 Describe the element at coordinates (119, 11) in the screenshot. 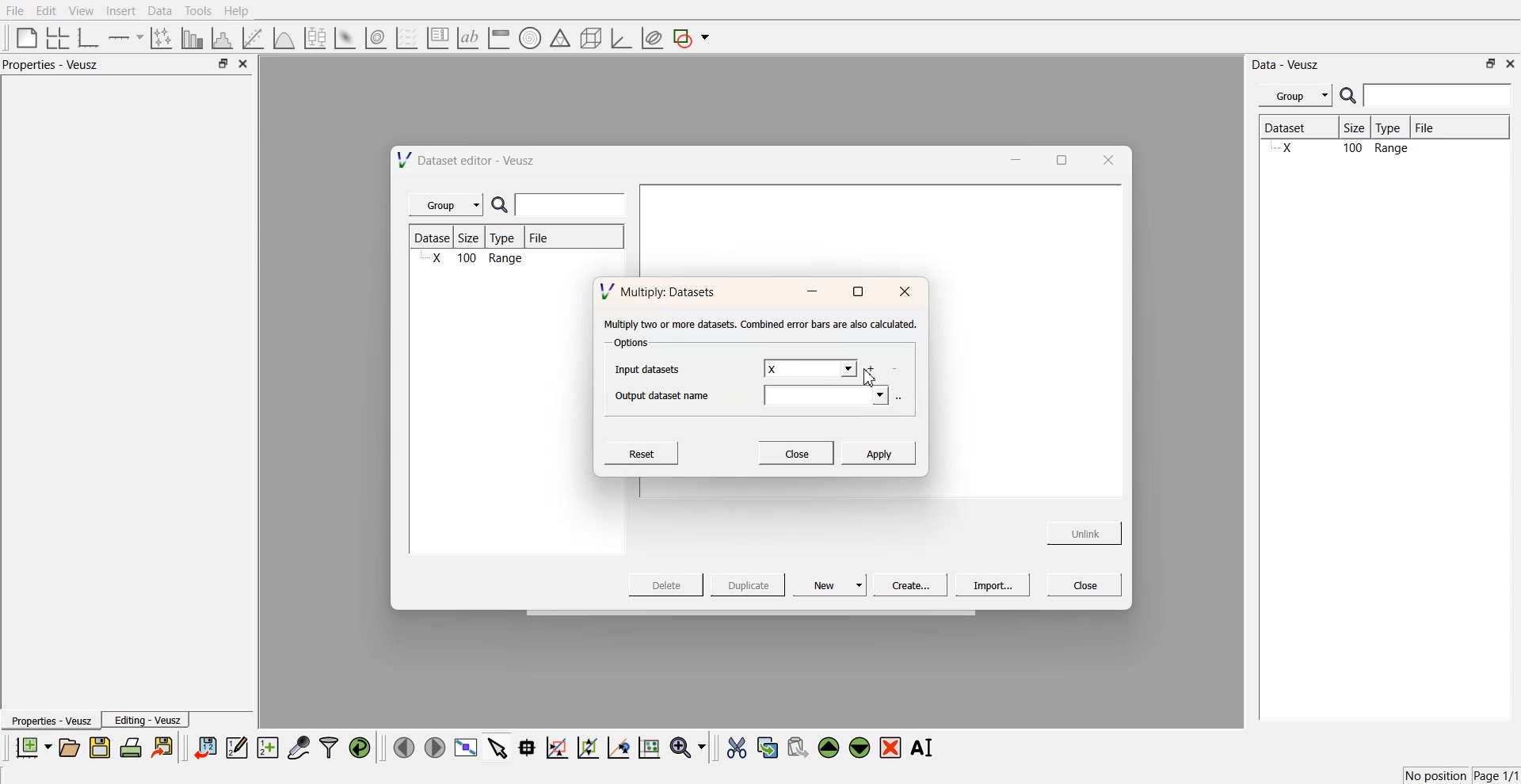

I see `Insert` at that location.